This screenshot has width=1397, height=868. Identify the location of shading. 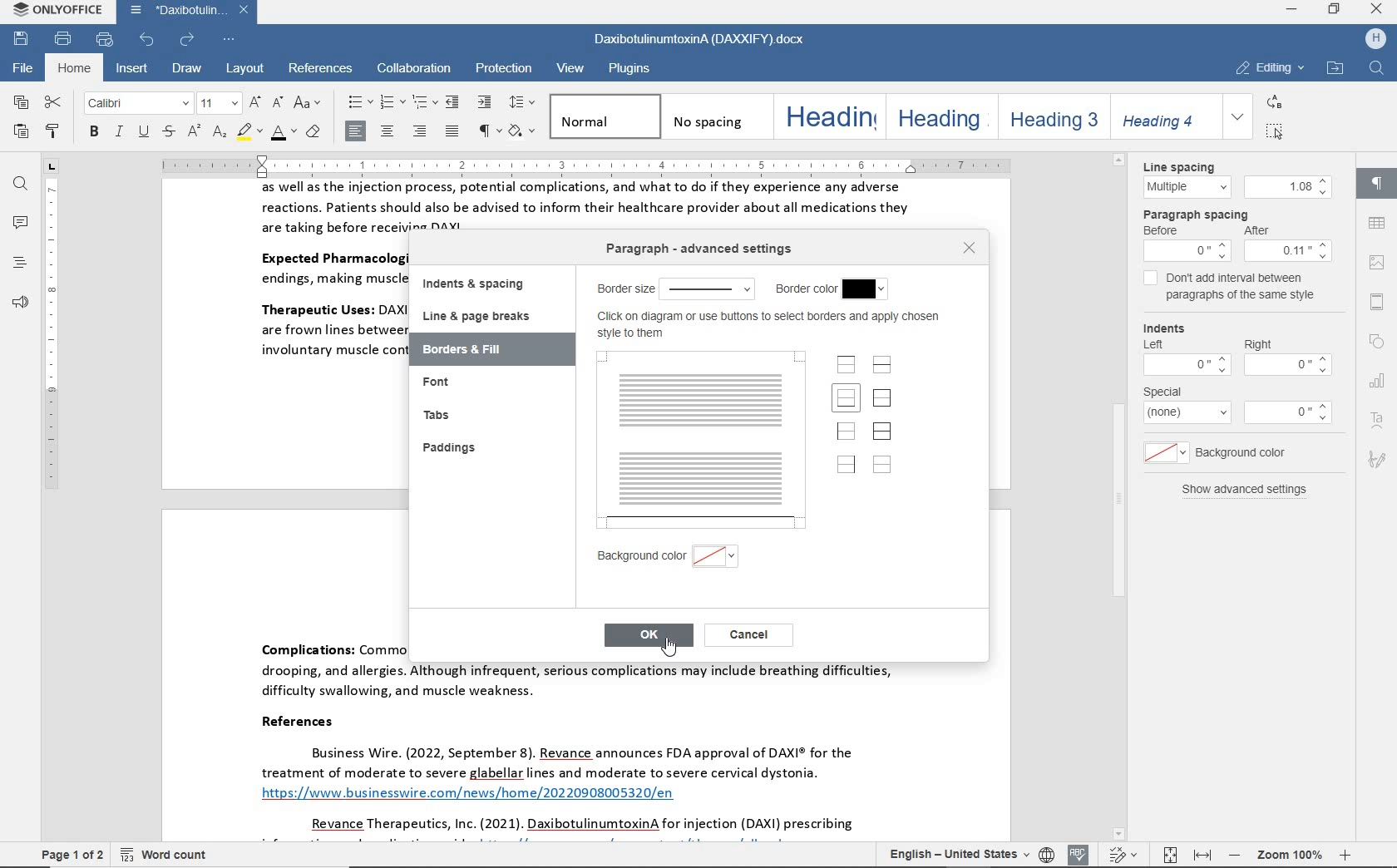
(524, 132).